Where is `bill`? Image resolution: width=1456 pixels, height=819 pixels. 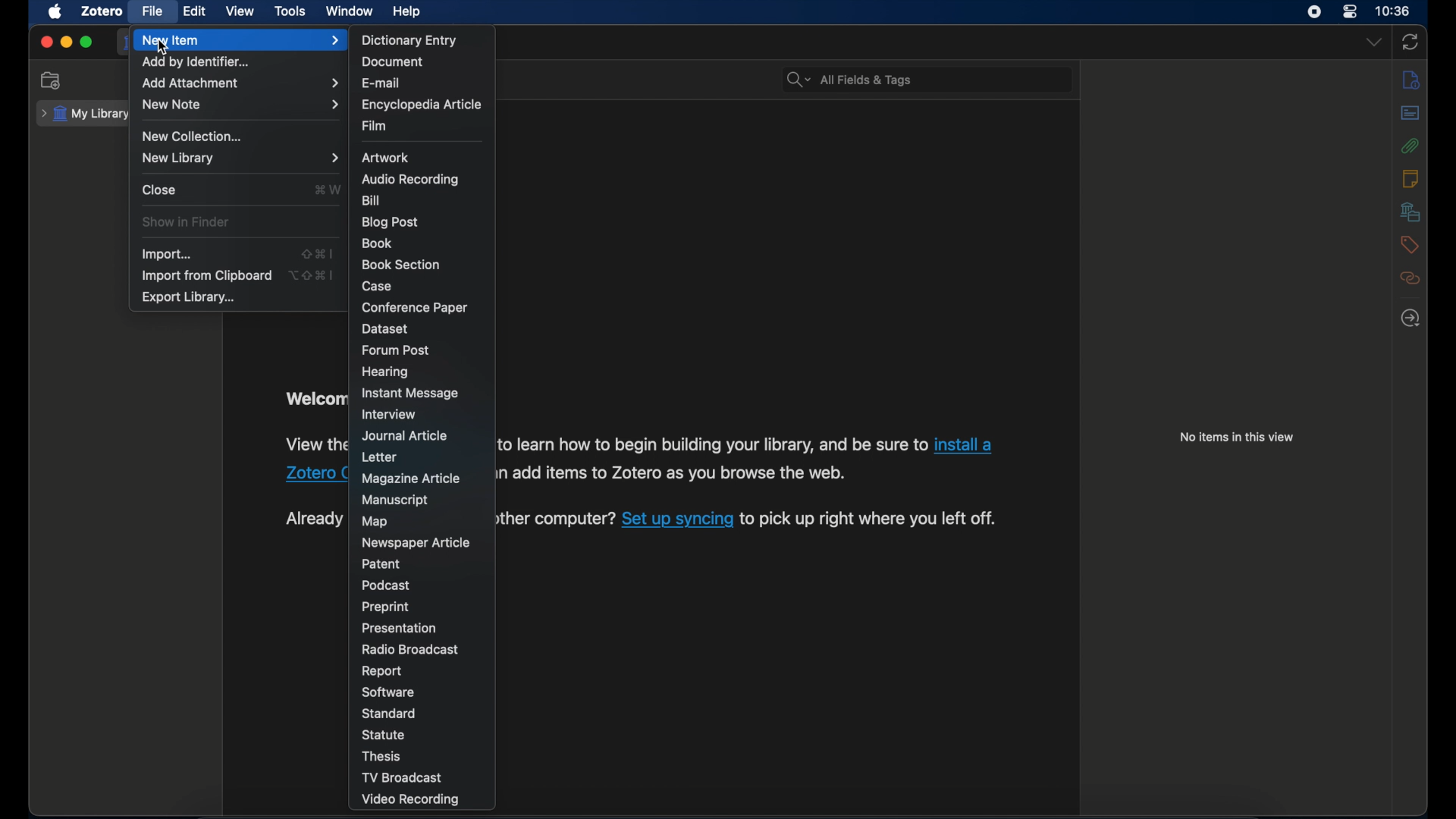 bill is located at coordinates (370, 200).